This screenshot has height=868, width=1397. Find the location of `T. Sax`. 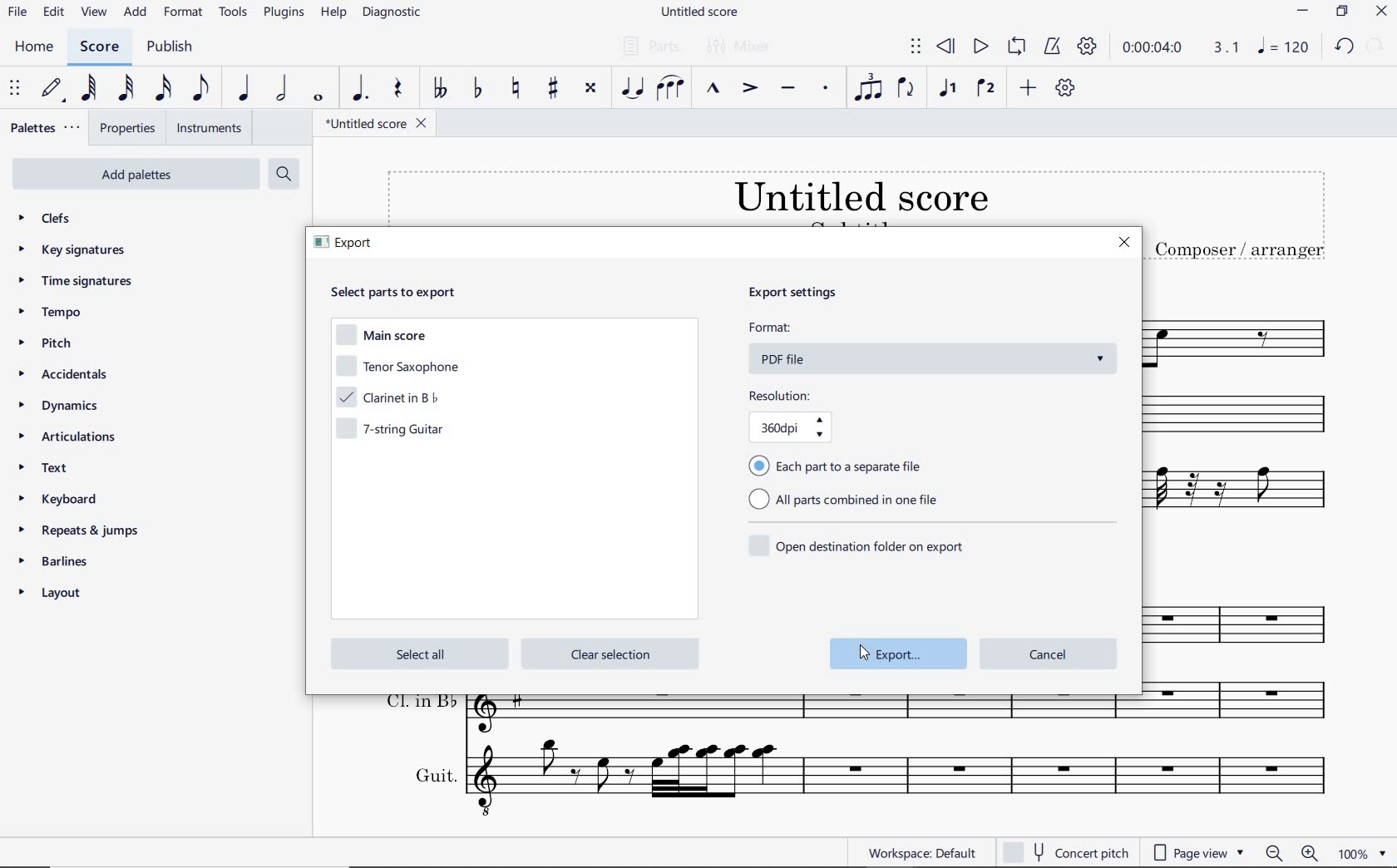

T. Sax is located at coordinates (1246, 620).